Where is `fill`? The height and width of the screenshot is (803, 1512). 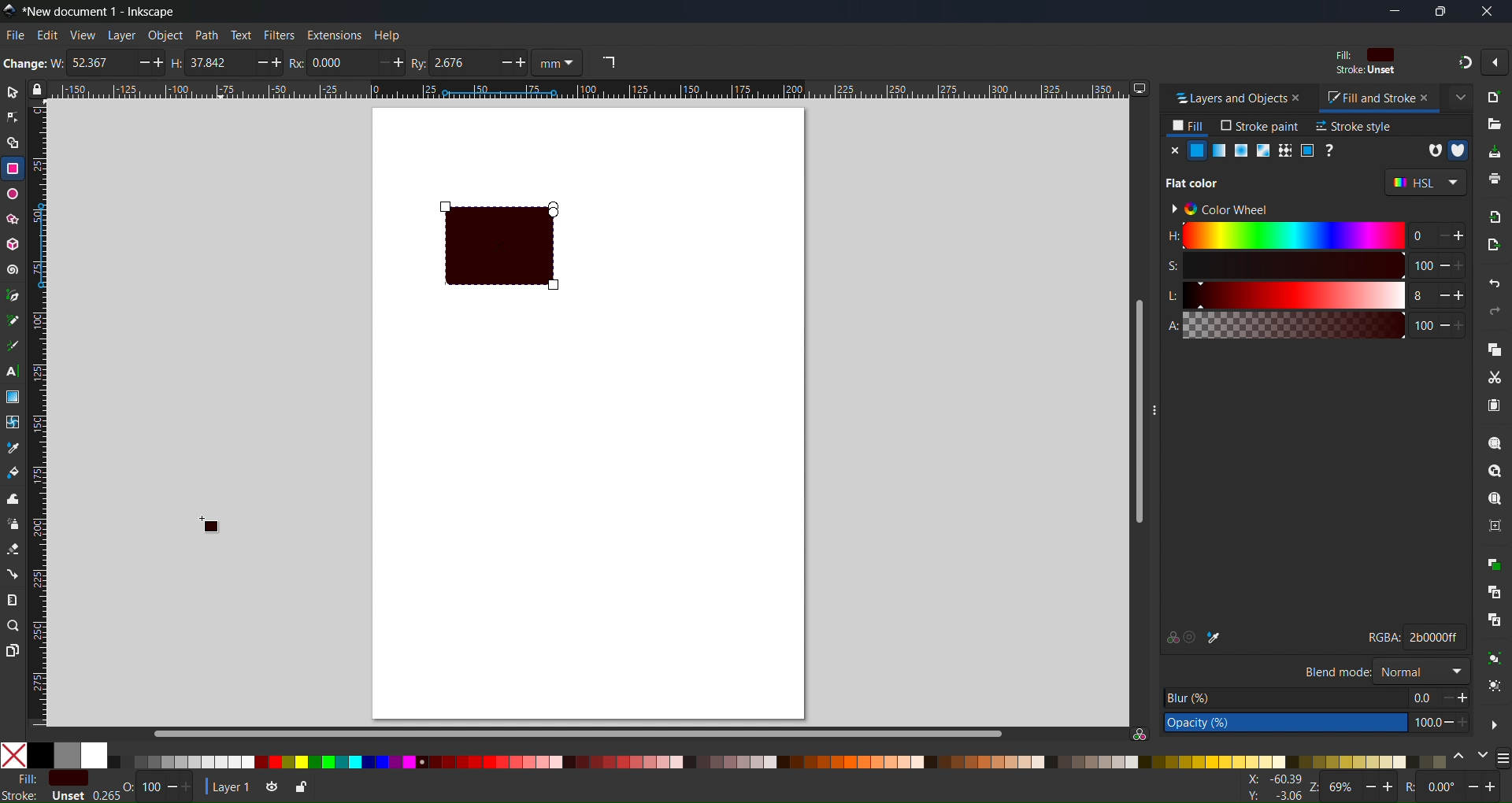
fill is located at coordinates (20, 778).